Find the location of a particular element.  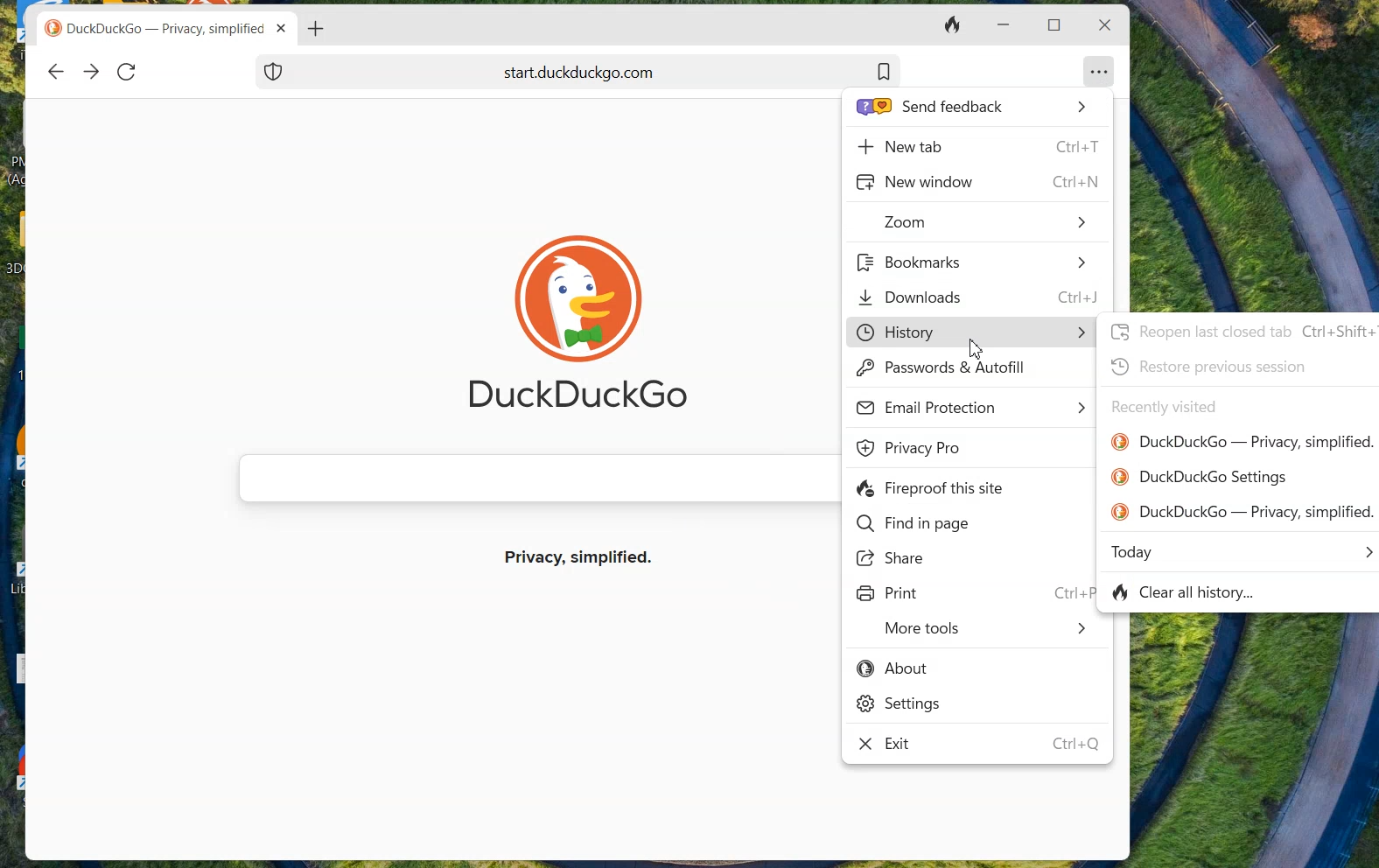

DuckDuckGo - privacy, simplified. is located at coordinates (1242, 442).